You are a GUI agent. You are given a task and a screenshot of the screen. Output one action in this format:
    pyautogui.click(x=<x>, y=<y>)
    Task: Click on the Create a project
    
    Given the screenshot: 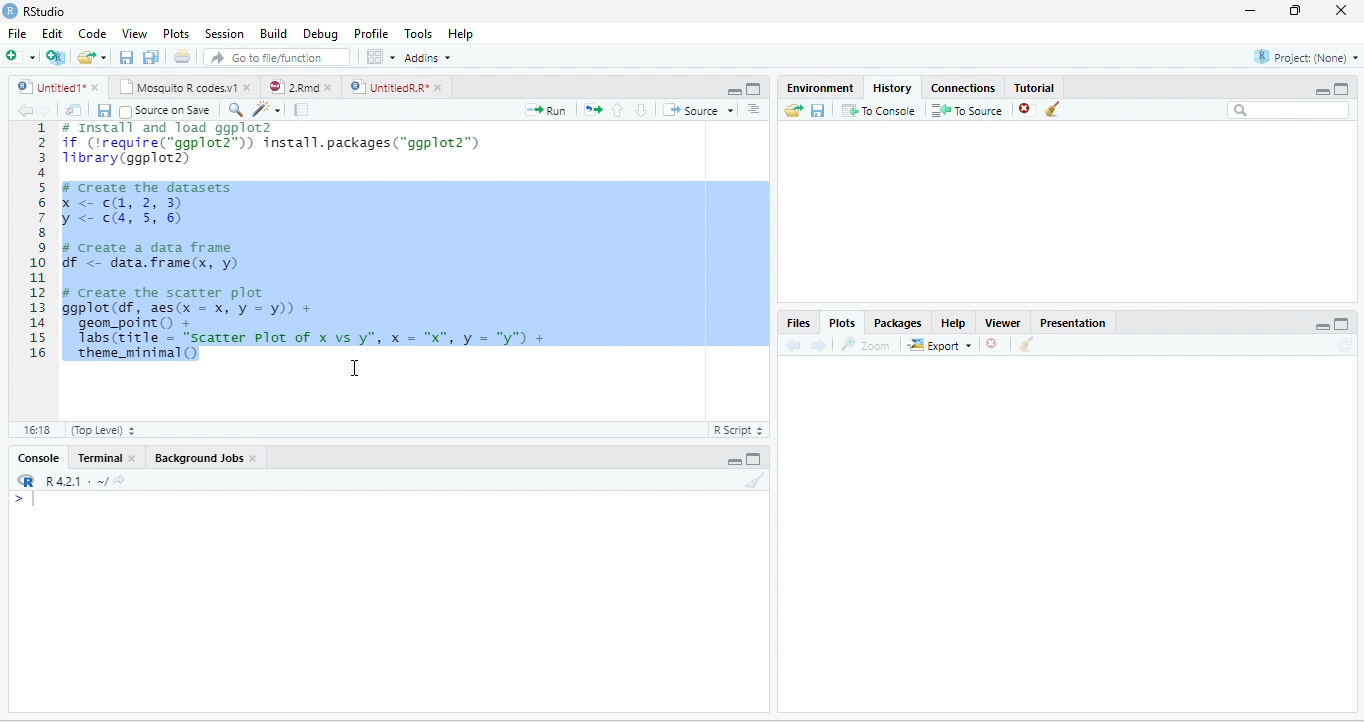 What is the action you would take?
    pyautogui.click(x=57, y=55)
    